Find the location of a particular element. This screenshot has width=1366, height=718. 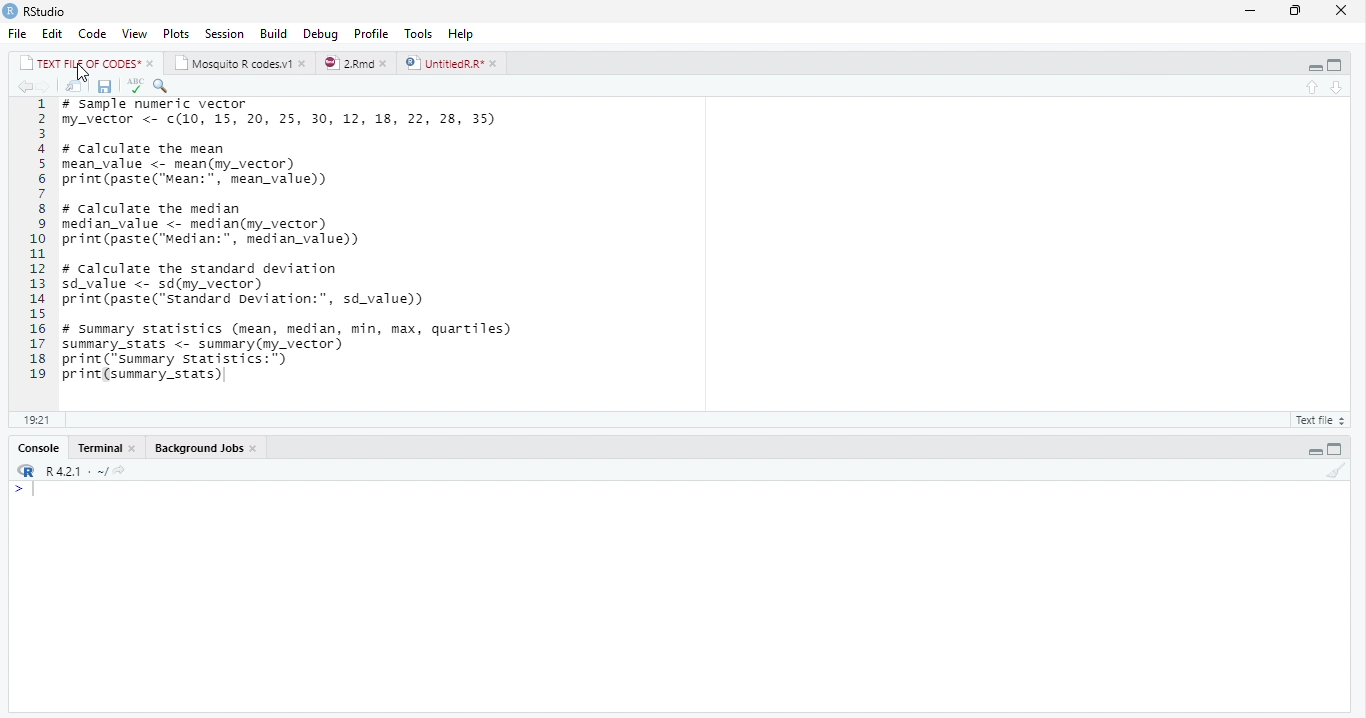

# Sample numeric vector

my_vector <- c(10, 15, 20, 25, 30, 12, 18, 22, 28, 35)
# calculate the mean

nean_value <- mean(my_vector)

print (paste("Mean:", mean_value))

# Calculate the median

nedian_value <- median(ny_vector)

print (paste("Median:”, median_value)

# Calculate the standard deviation

sd_value <- sd(my_vector)

print (paste("standard peviation:", sd_value)

4 summary statistics (mean, median, min, max, quartiles)
summary_stats <- summary(my_vector)

print ("Summary statistics:")

print (summary_stats) is located at coordinates (292, 245).